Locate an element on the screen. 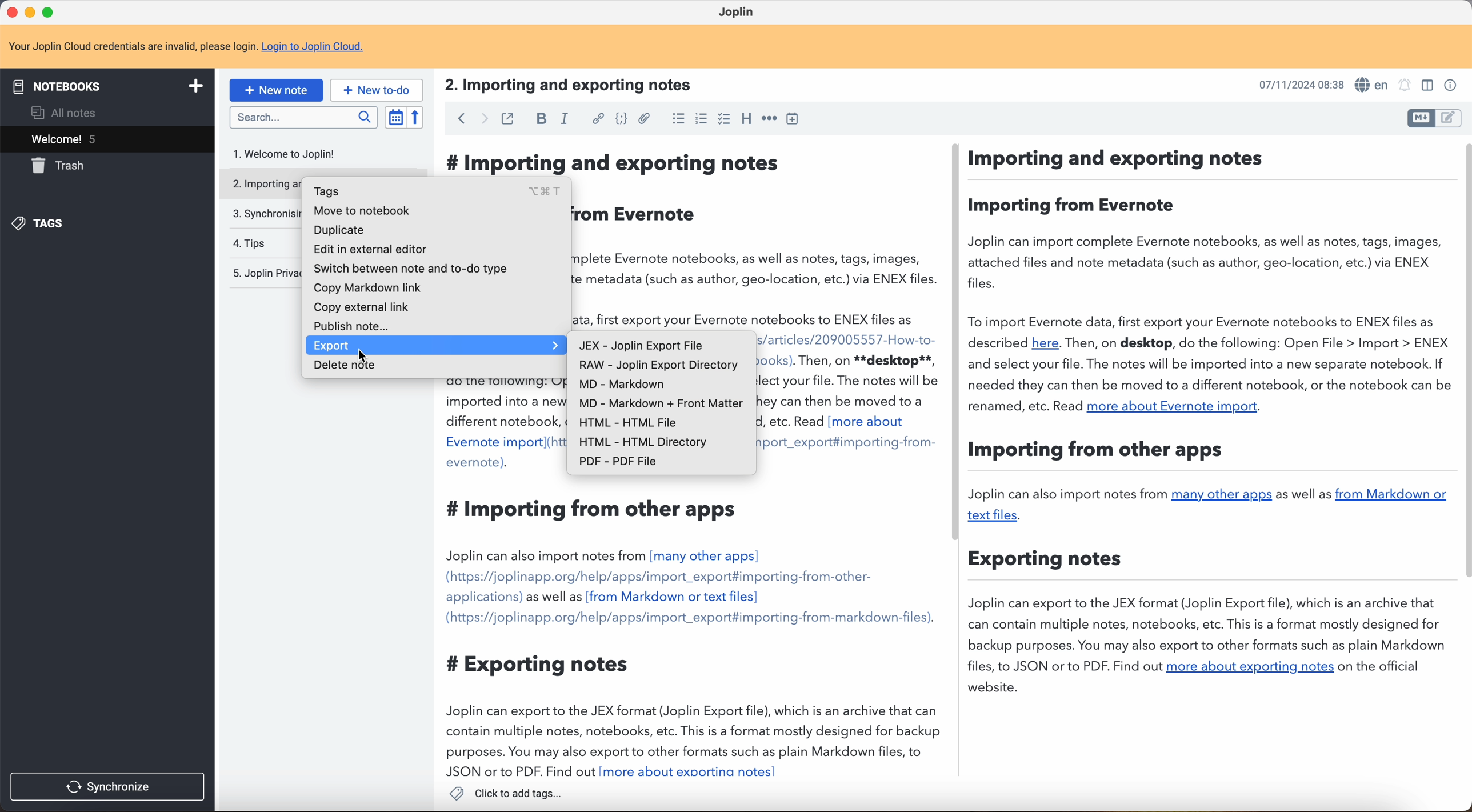  move to notebook is located at coordinates (362, 210).